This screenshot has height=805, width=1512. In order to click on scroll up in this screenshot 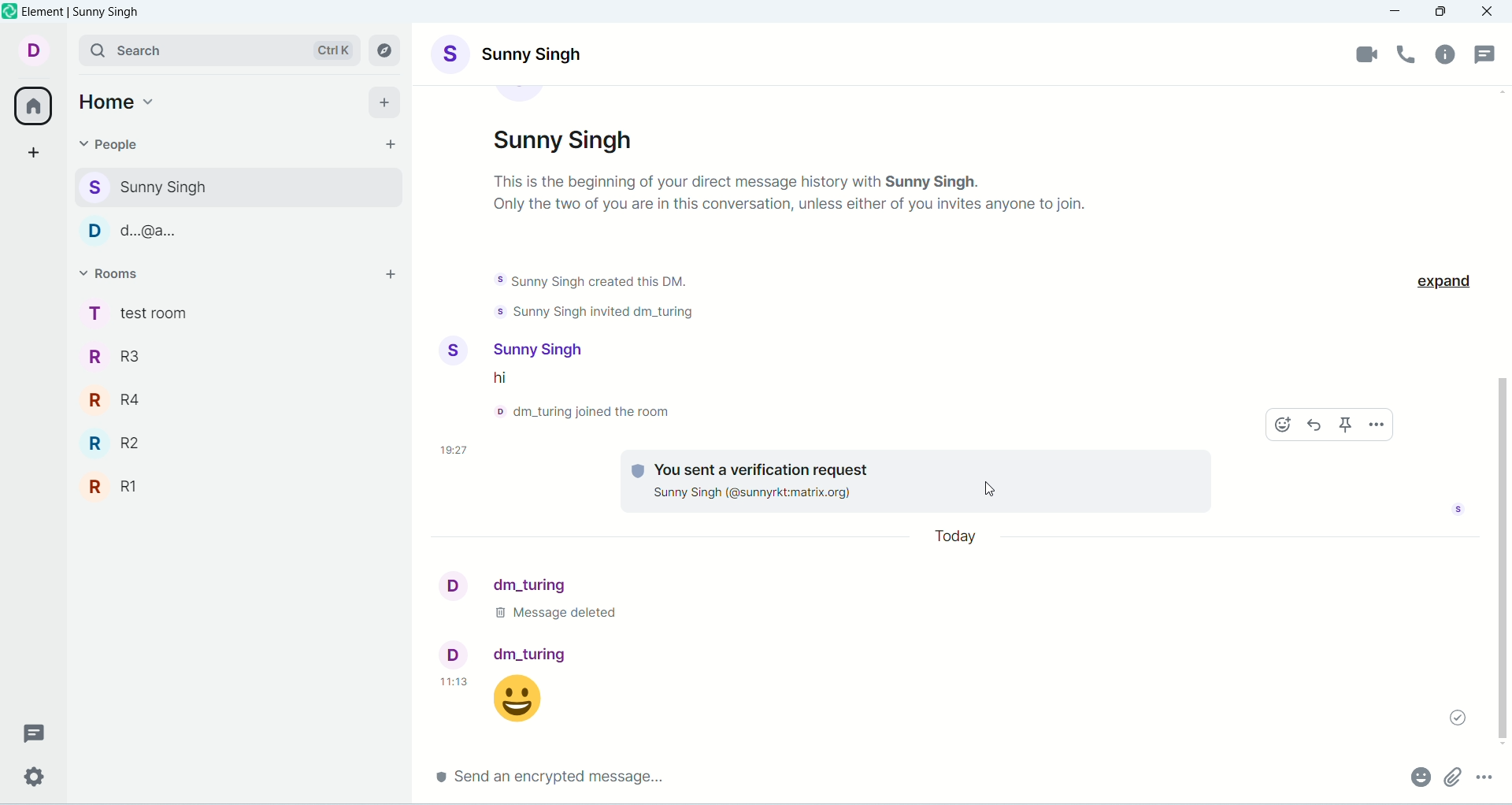, I will do `click(1503, 92)`.